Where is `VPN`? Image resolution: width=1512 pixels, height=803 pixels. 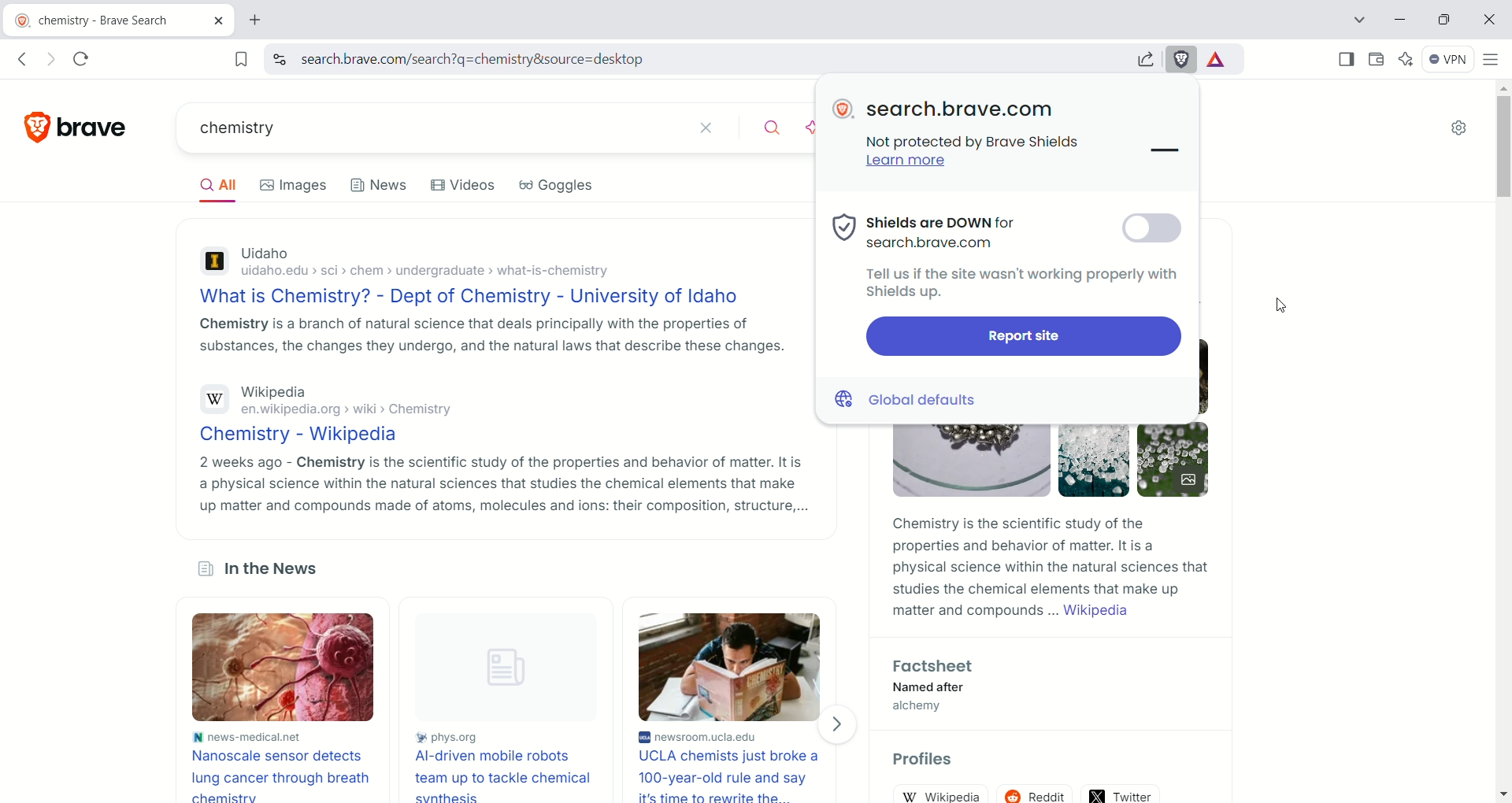
VPN is located at coordinates (1449, 61).